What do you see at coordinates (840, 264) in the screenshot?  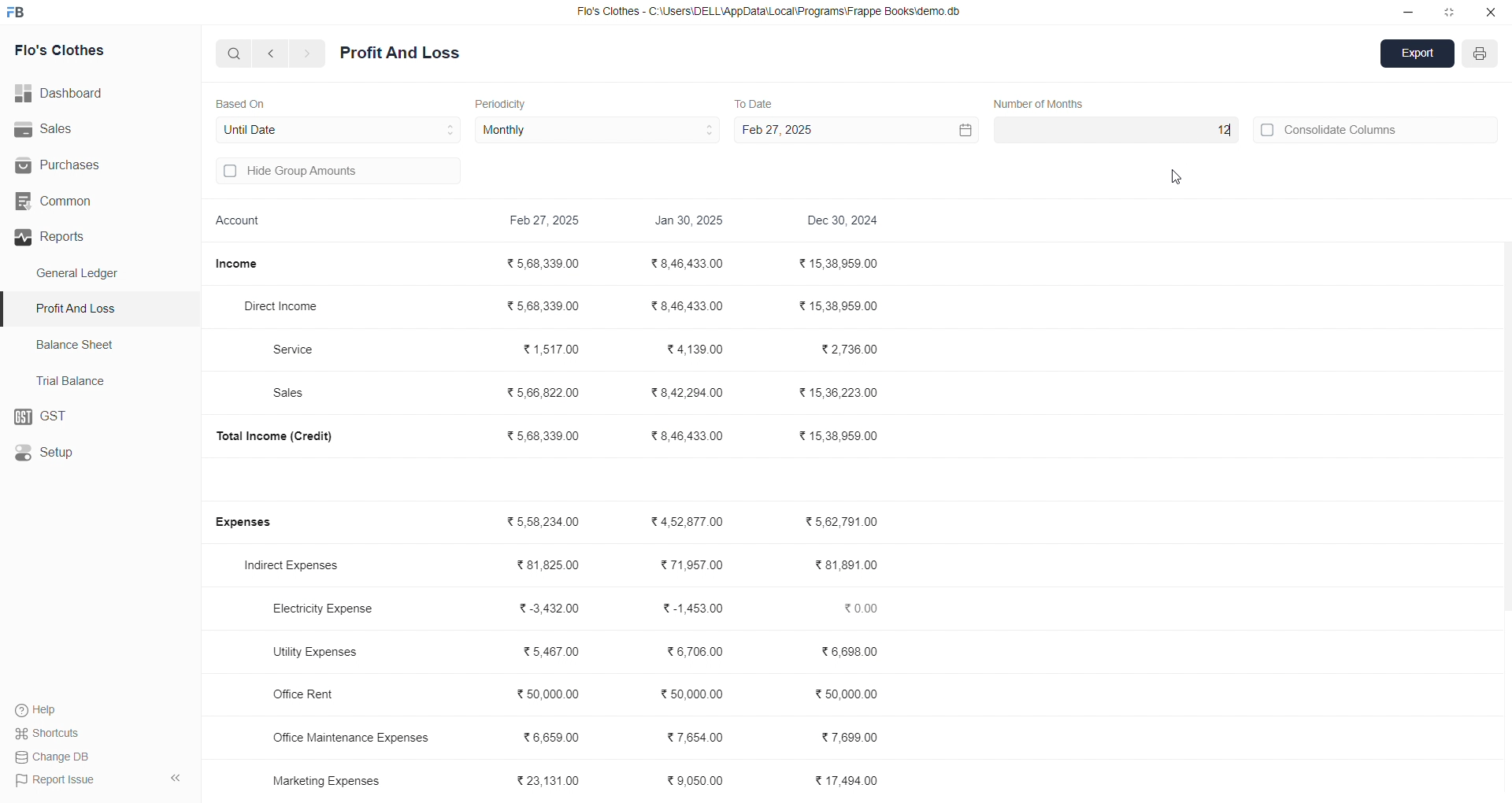 I see `₹15,38,959.00` at bounding box center [840, 264].